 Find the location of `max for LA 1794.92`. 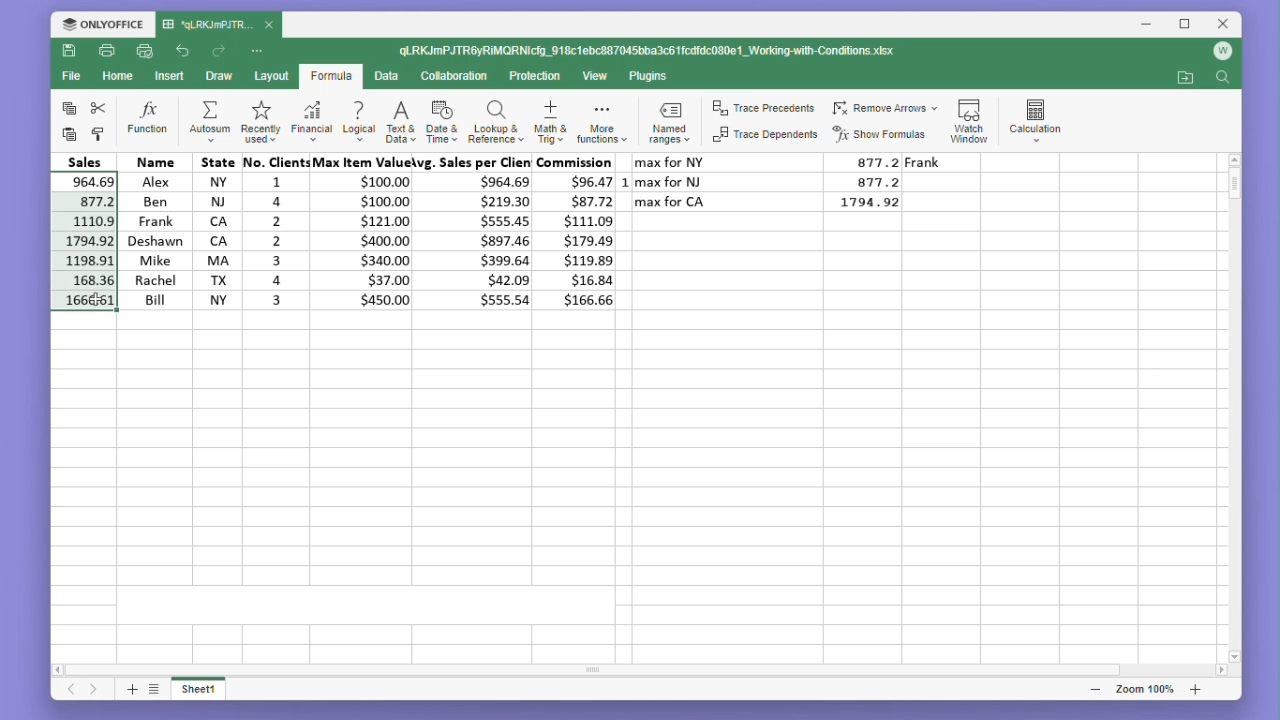

max for LA 1794.92 is located at coordinates (777, 205).